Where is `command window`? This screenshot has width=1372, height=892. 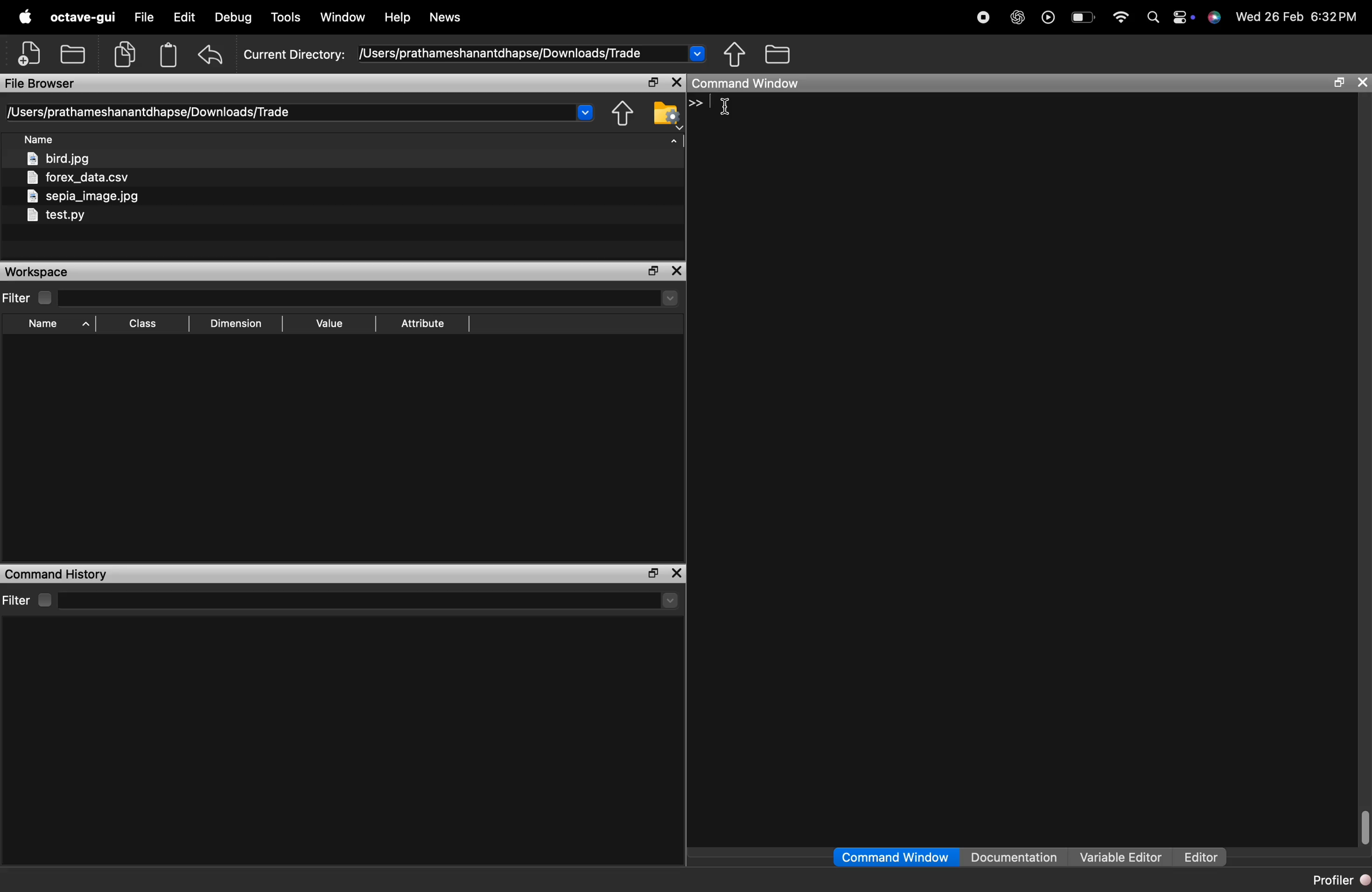
command window is located at coordinates (896, 857).